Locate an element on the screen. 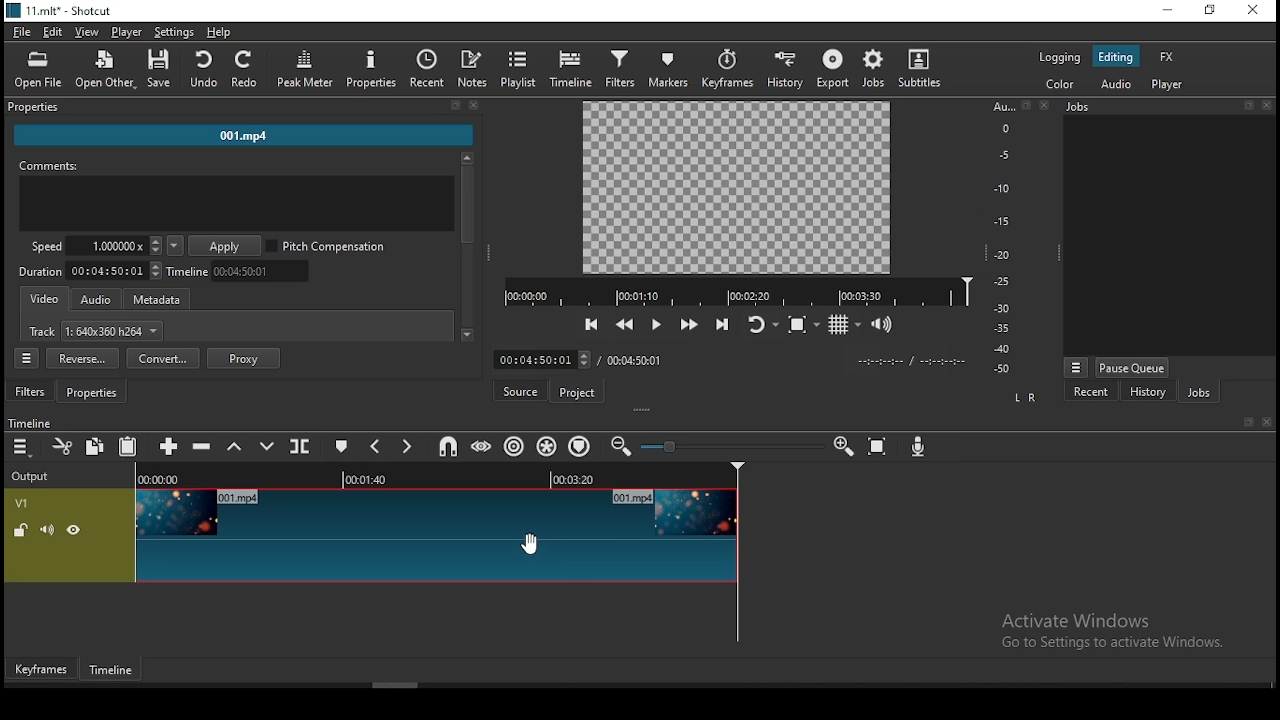 The height and width of the screenshot is (720, 1280). play/pause is located at coordinates (655, 322).